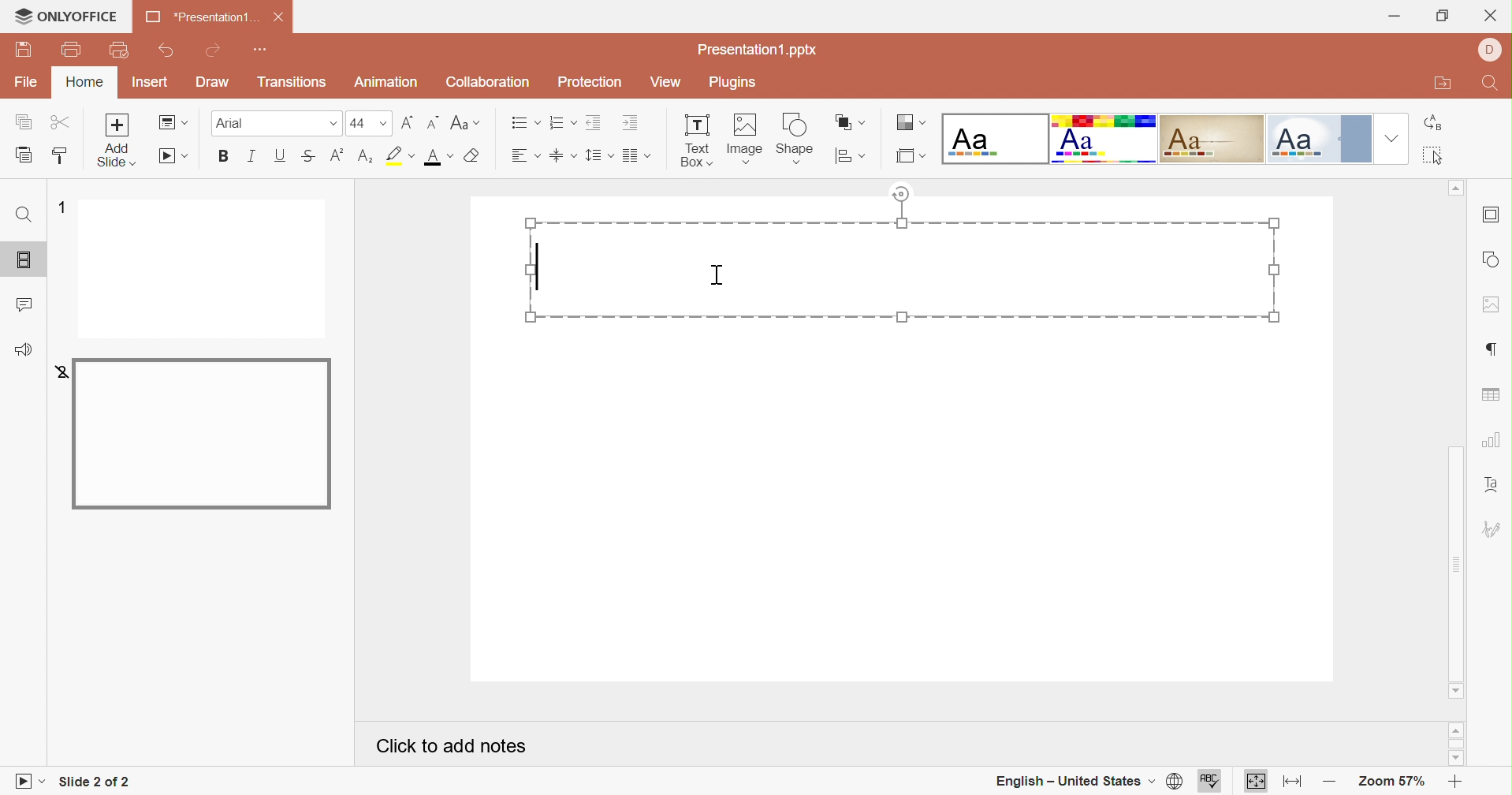 The height and width of the screenshot is (795, 1512). What do you see at coordinates (292, 82) in the screenshot?
I see `Transitions` at bounding box center [292, 82].